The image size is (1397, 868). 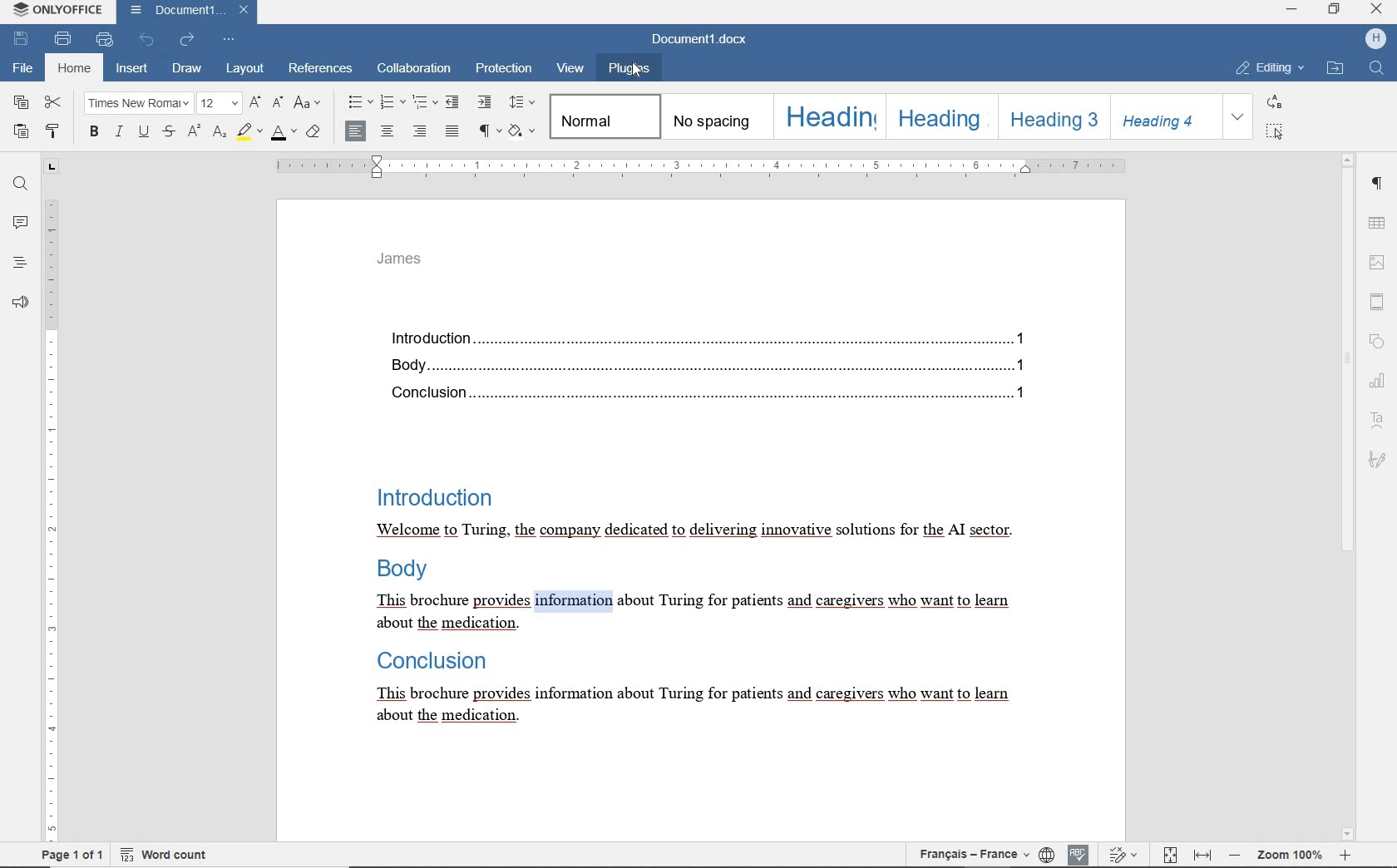 I want to click on CHANGE CASE, so click(x=309, y=104).